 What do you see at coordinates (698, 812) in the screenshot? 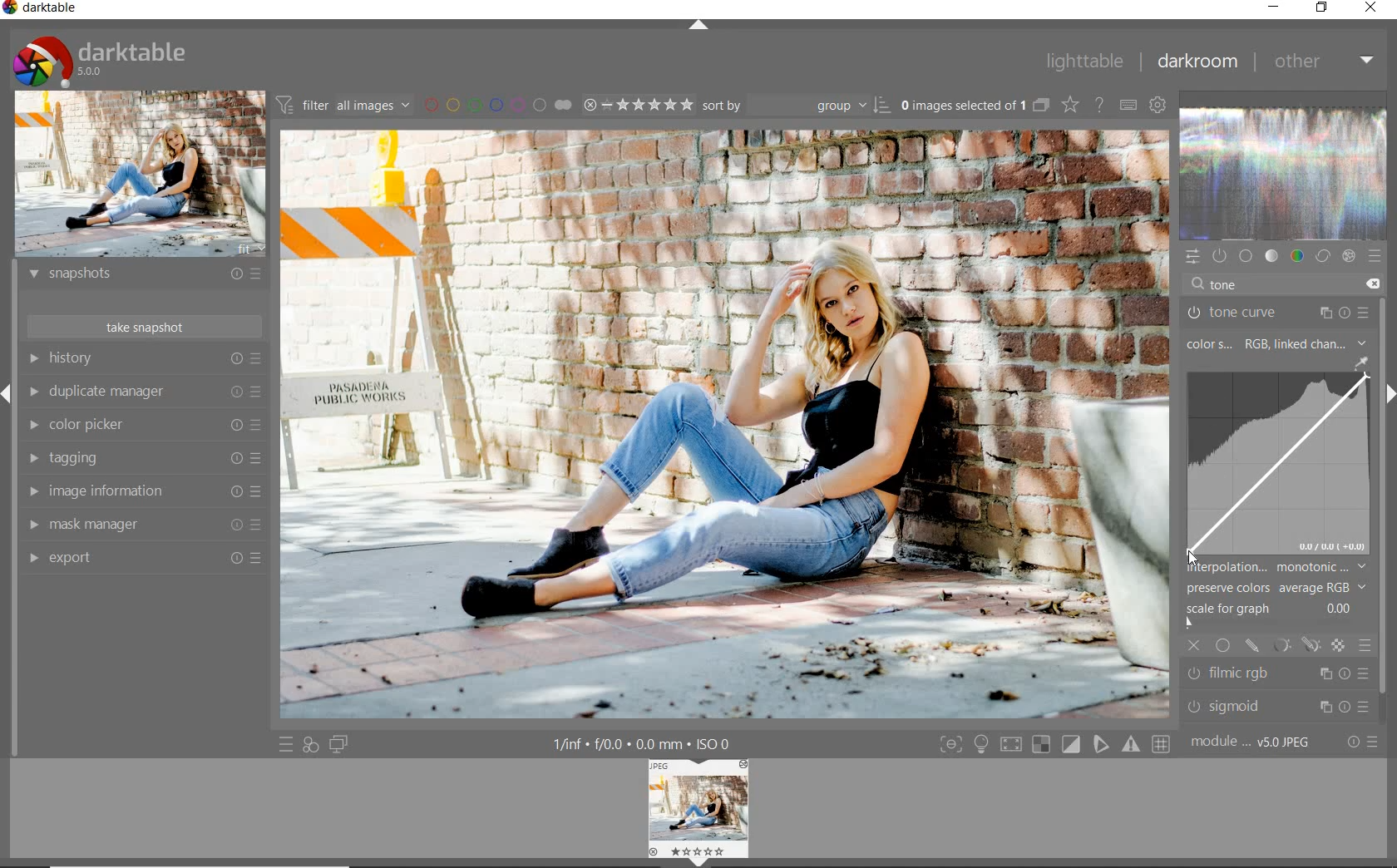
I see `image preview` at bounding box center [698, 812].